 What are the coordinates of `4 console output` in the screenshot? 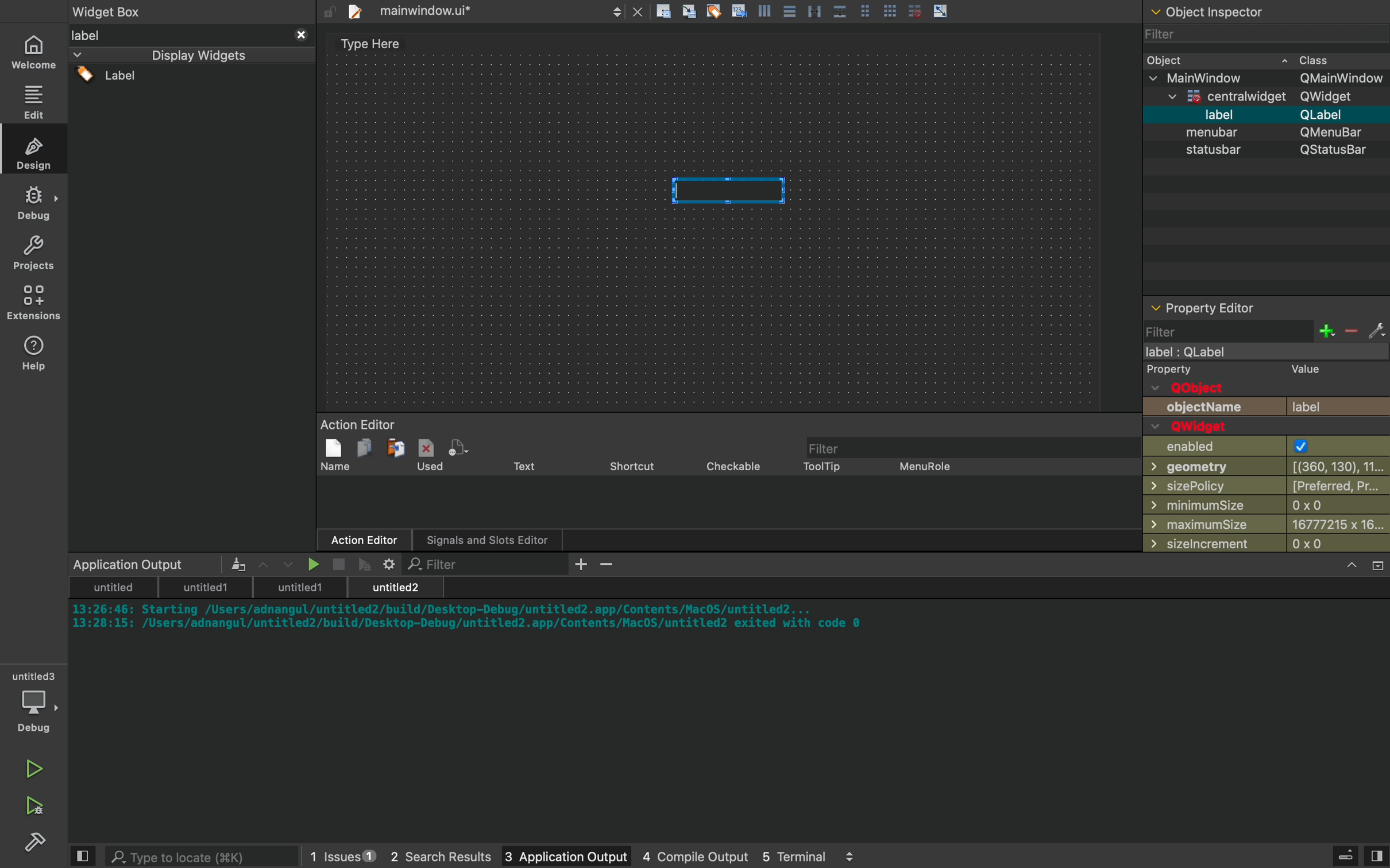 It's located at (682, 857).